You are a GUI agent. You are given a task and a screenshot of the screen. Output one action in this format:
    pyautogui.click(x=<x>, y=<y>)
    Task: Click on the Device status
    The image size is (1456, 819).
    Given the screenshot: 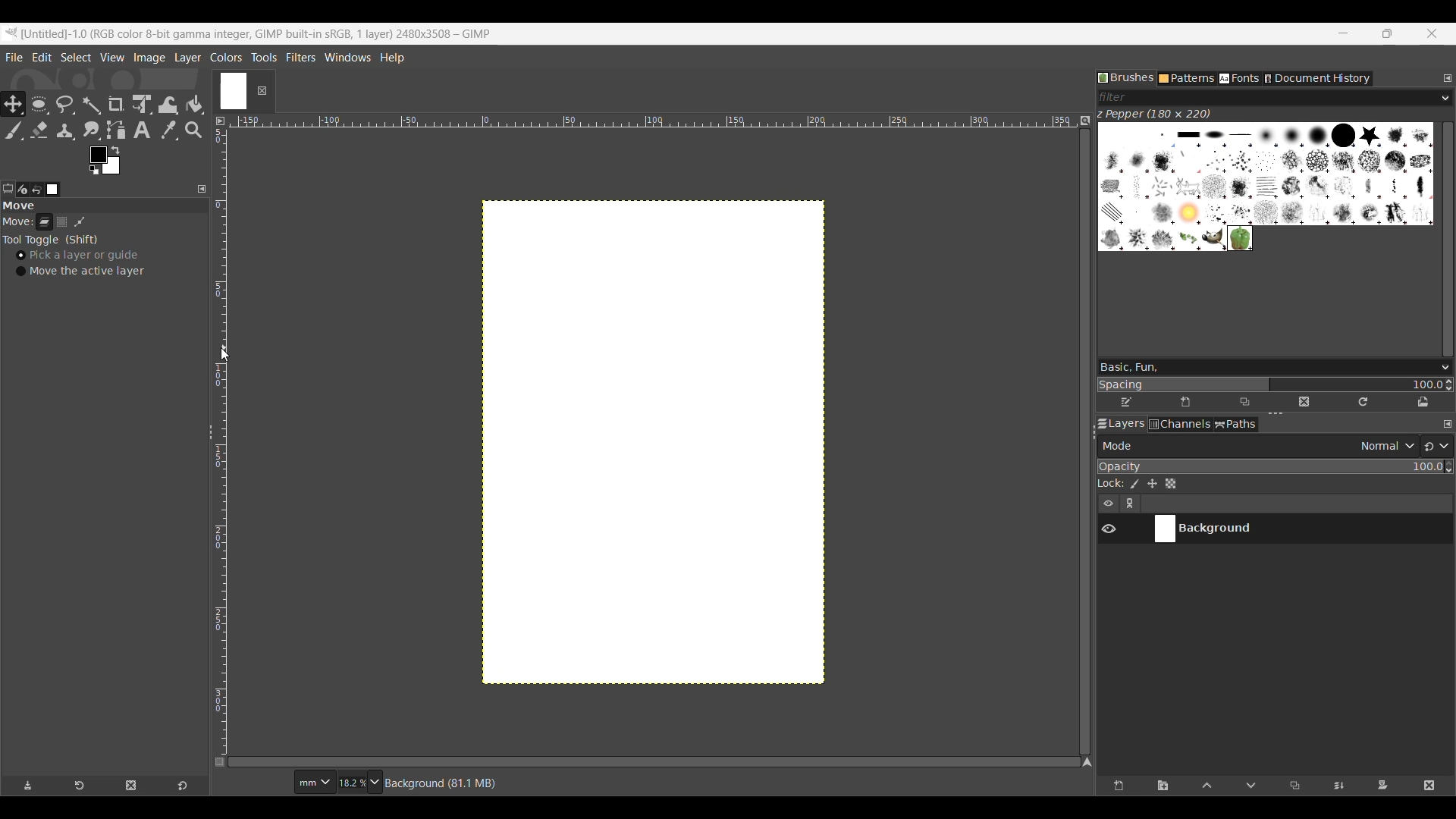 What is the action you would take?
    pyautogui.click(x=22, y=190)
    